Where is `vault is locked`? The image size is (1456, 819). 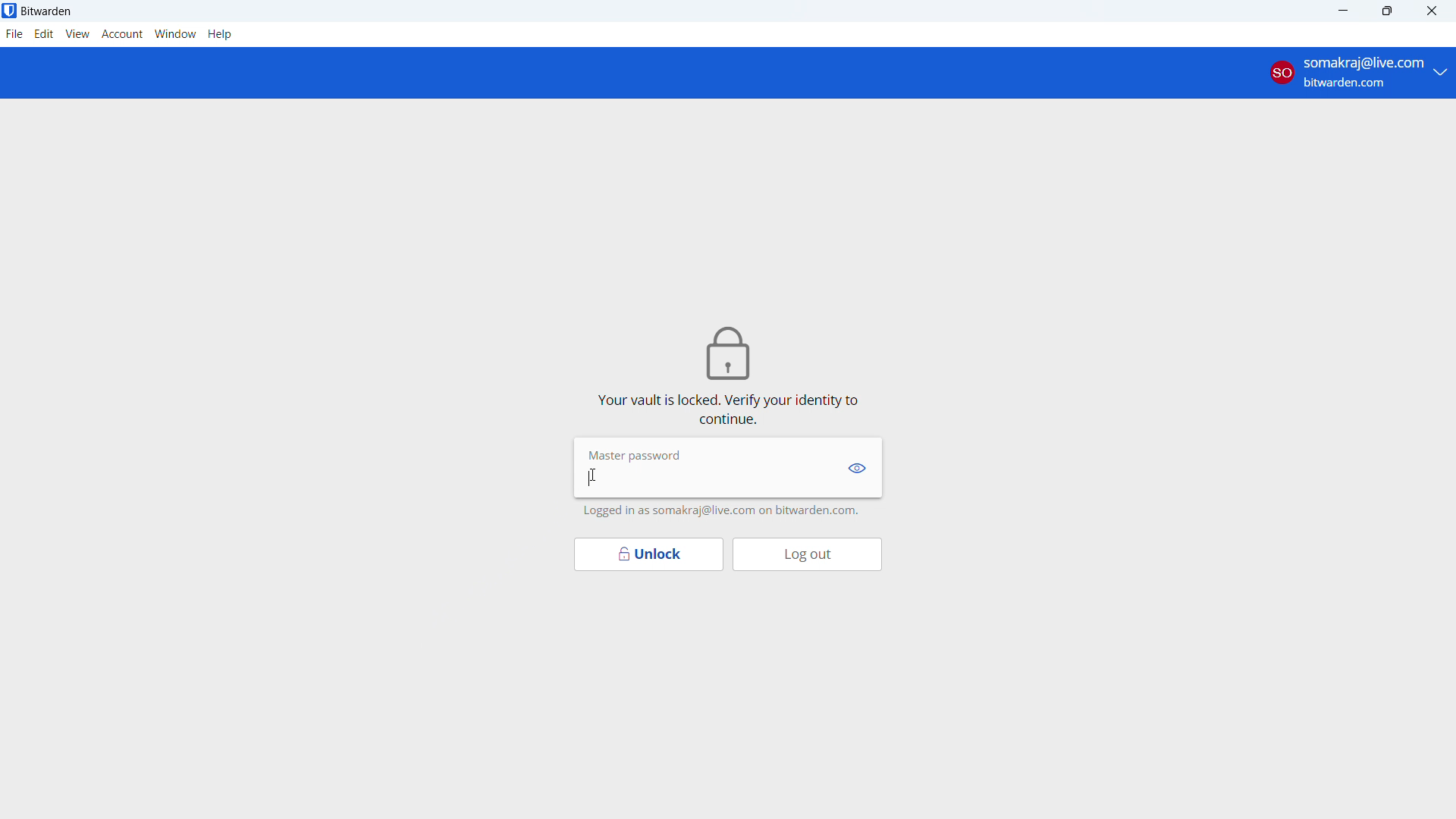
vault is locked is located at coordinates (728, 409).